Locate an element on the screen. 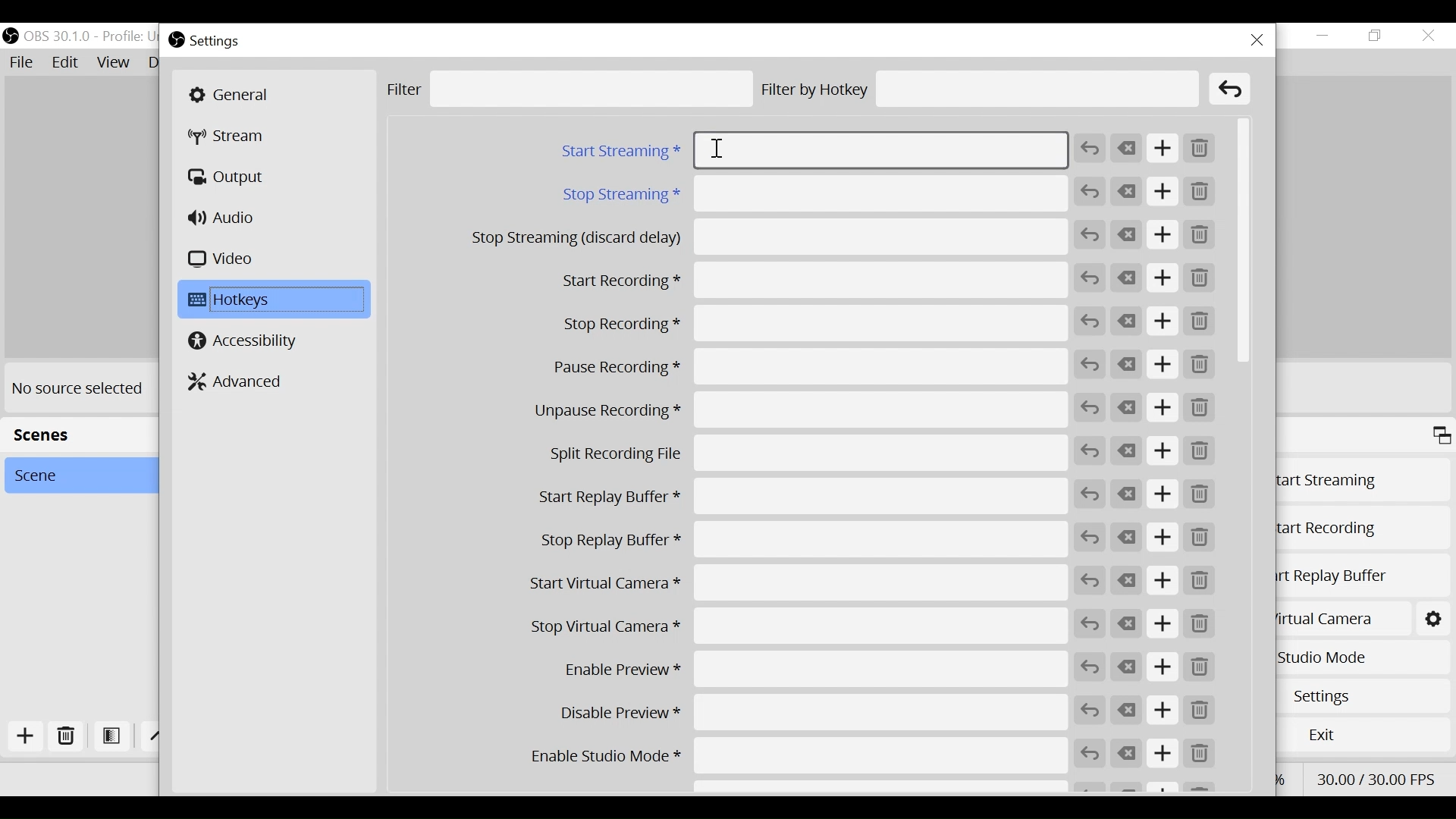  Start Recording is located at coordinates (1355, 529).